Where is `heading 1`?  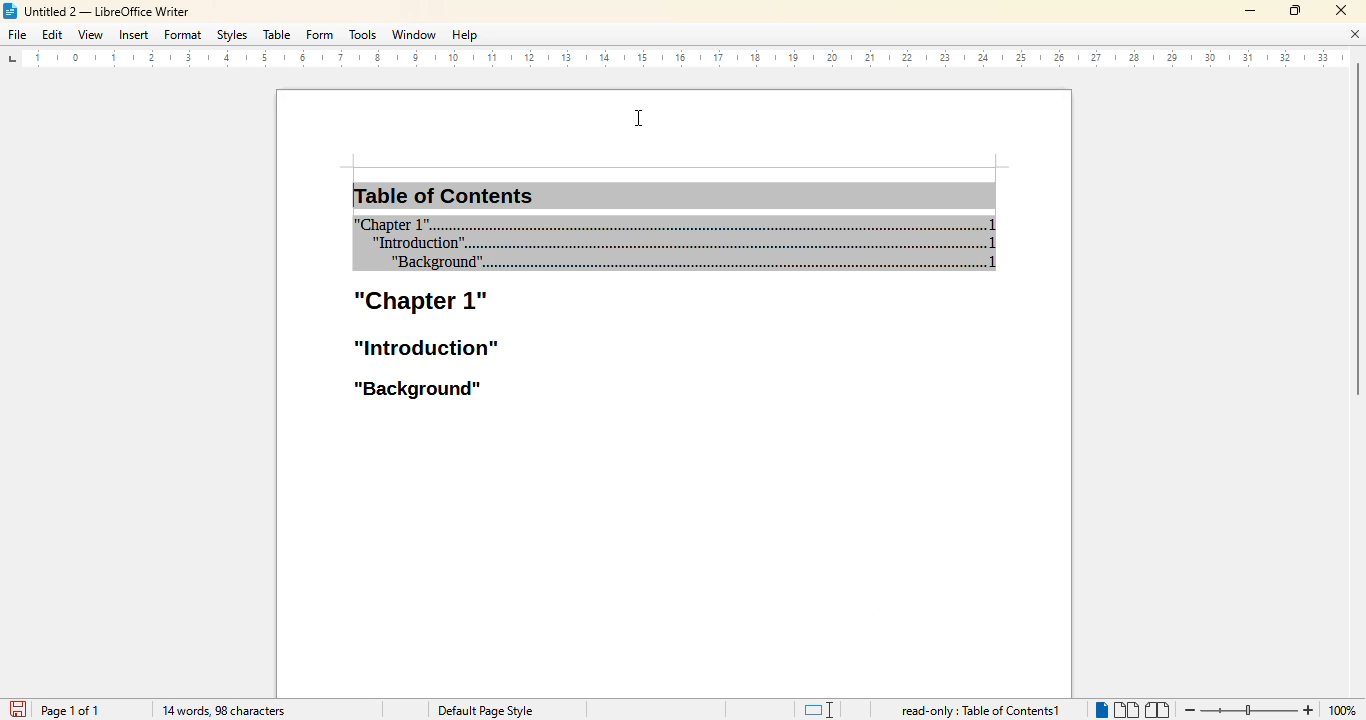
heading 1 is located at coordinates (421, 303).